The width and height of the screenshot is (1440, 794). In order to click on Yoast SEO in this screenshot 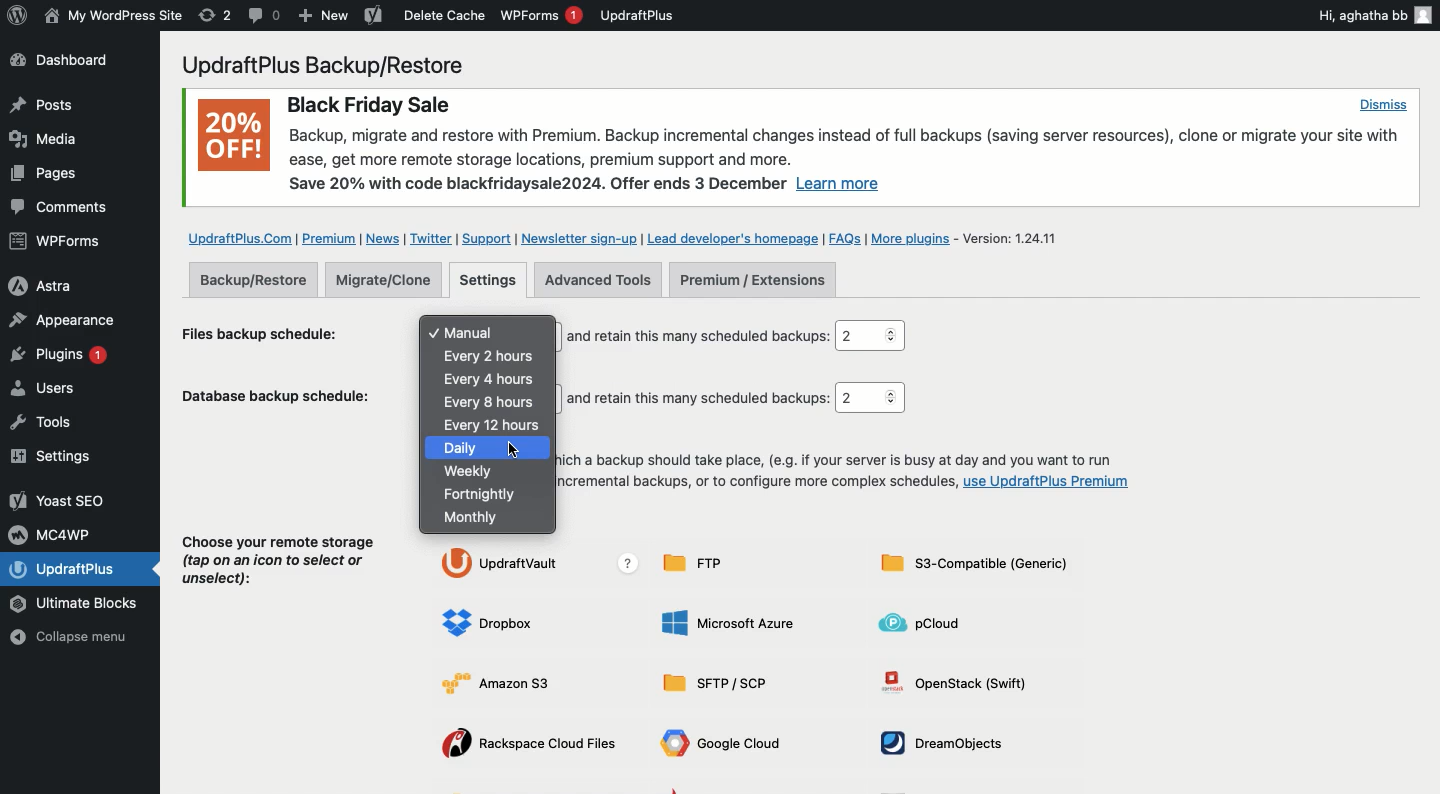, I will do `click(60, 500)`.